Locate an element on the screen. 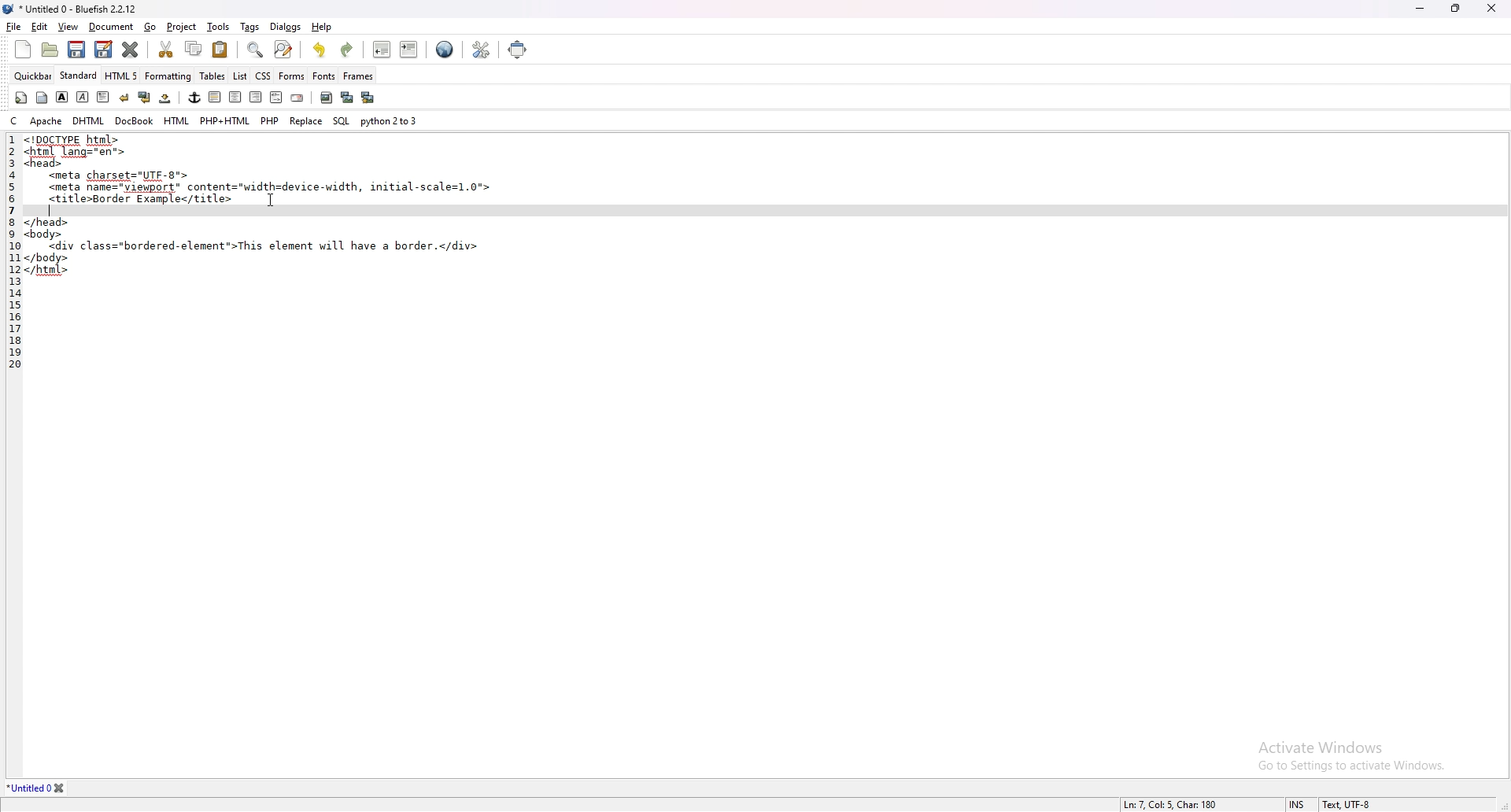  show find bar is located at coordinates (257, 50).